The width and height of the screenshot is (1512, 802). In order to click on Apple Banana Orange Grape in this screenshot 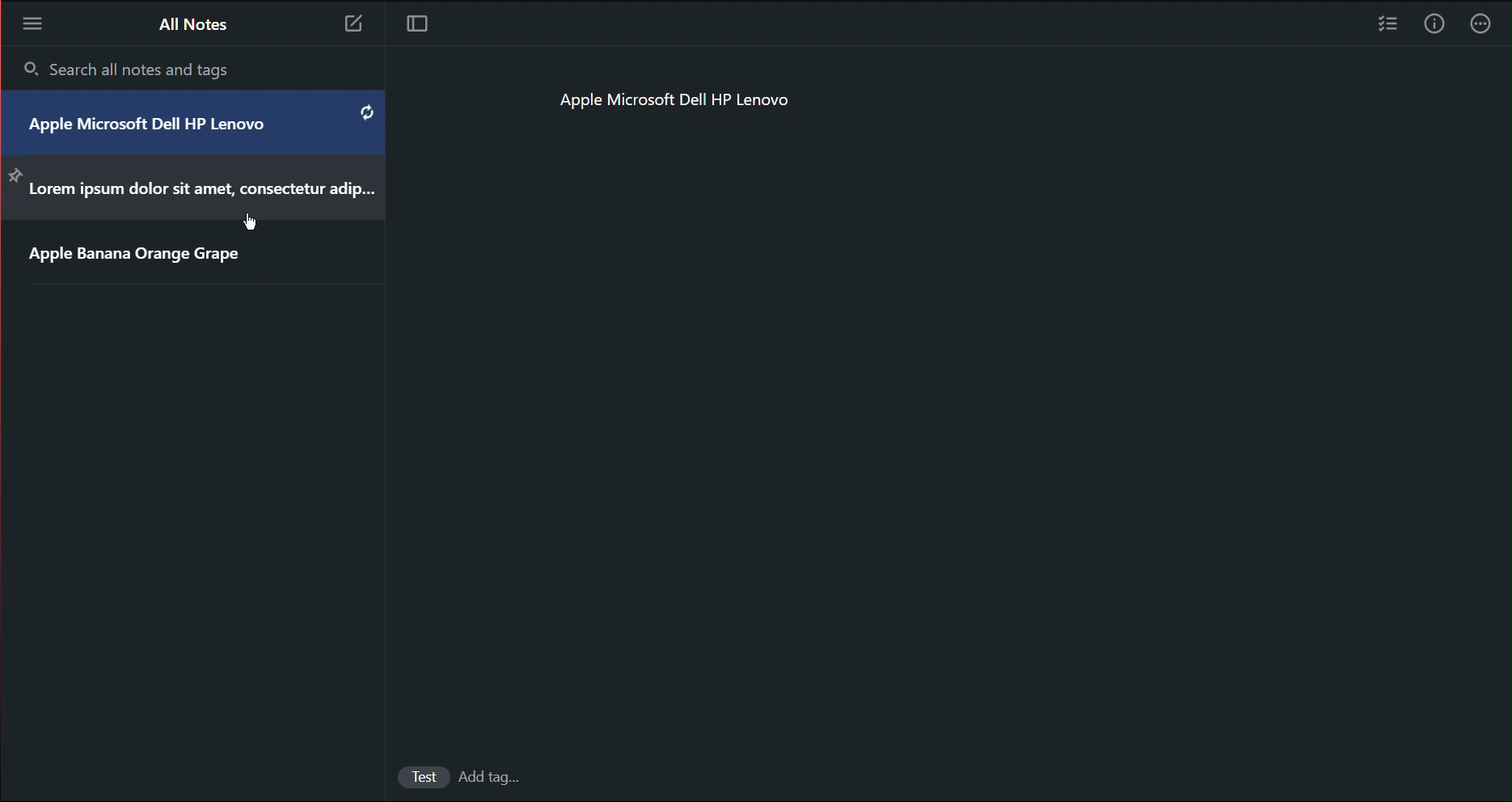, I will do `click(135, 257)`.